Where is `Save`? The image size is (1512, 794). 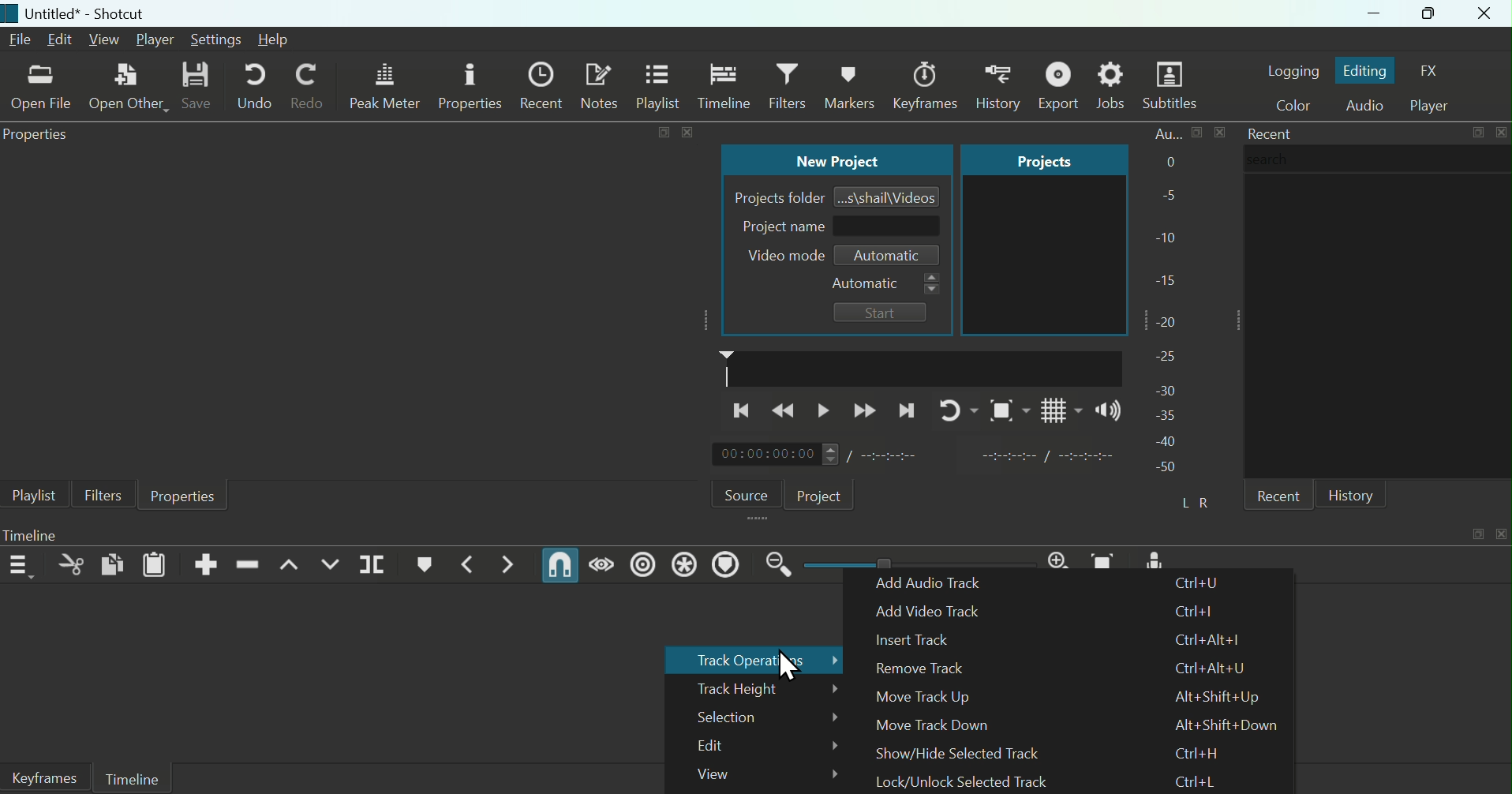
Save is located at coordinates (196, 88).